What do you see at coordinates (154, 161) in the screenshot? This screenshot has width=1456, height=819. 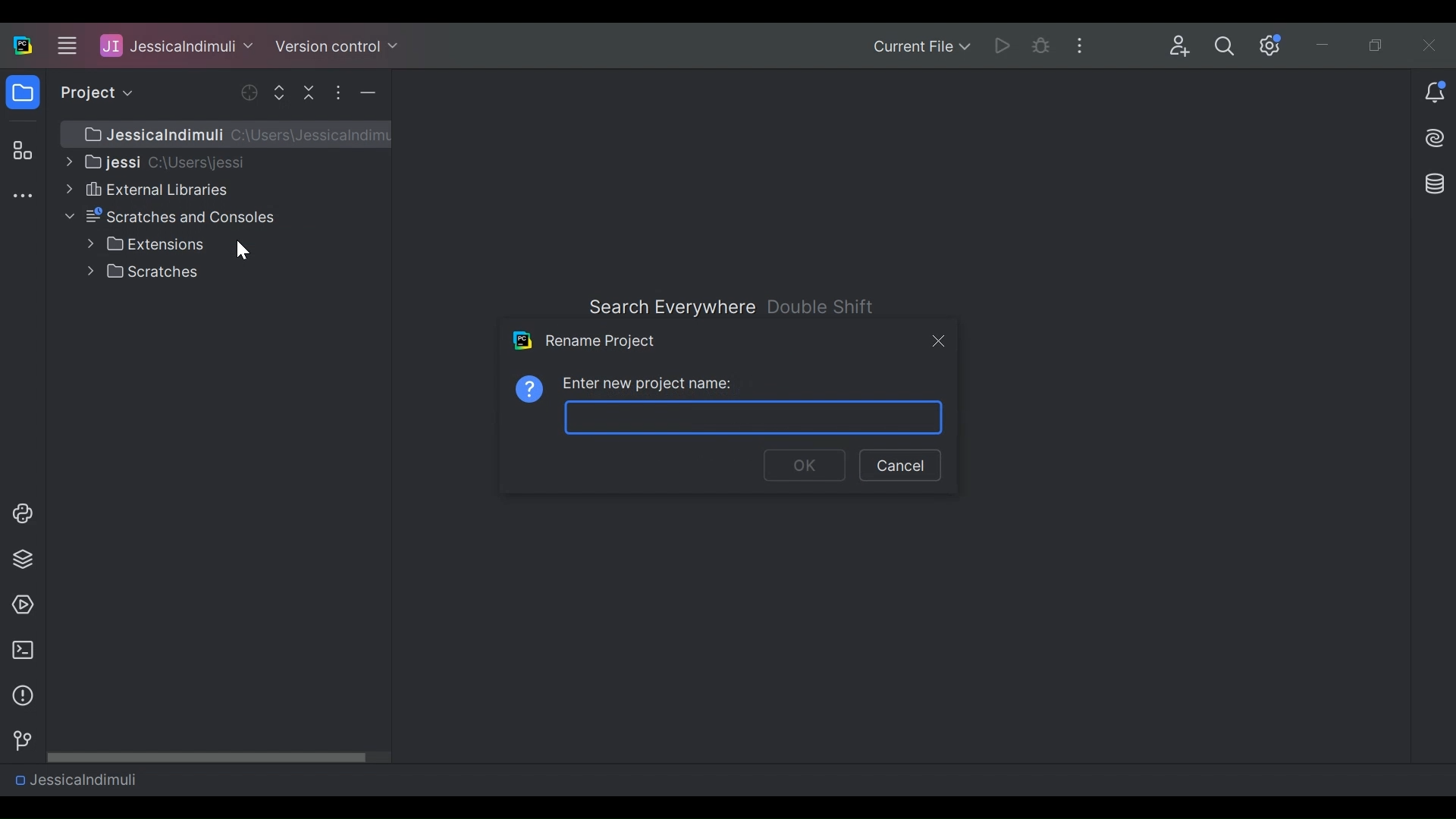 I see `Project Directory` at bounding box center [154, 161].